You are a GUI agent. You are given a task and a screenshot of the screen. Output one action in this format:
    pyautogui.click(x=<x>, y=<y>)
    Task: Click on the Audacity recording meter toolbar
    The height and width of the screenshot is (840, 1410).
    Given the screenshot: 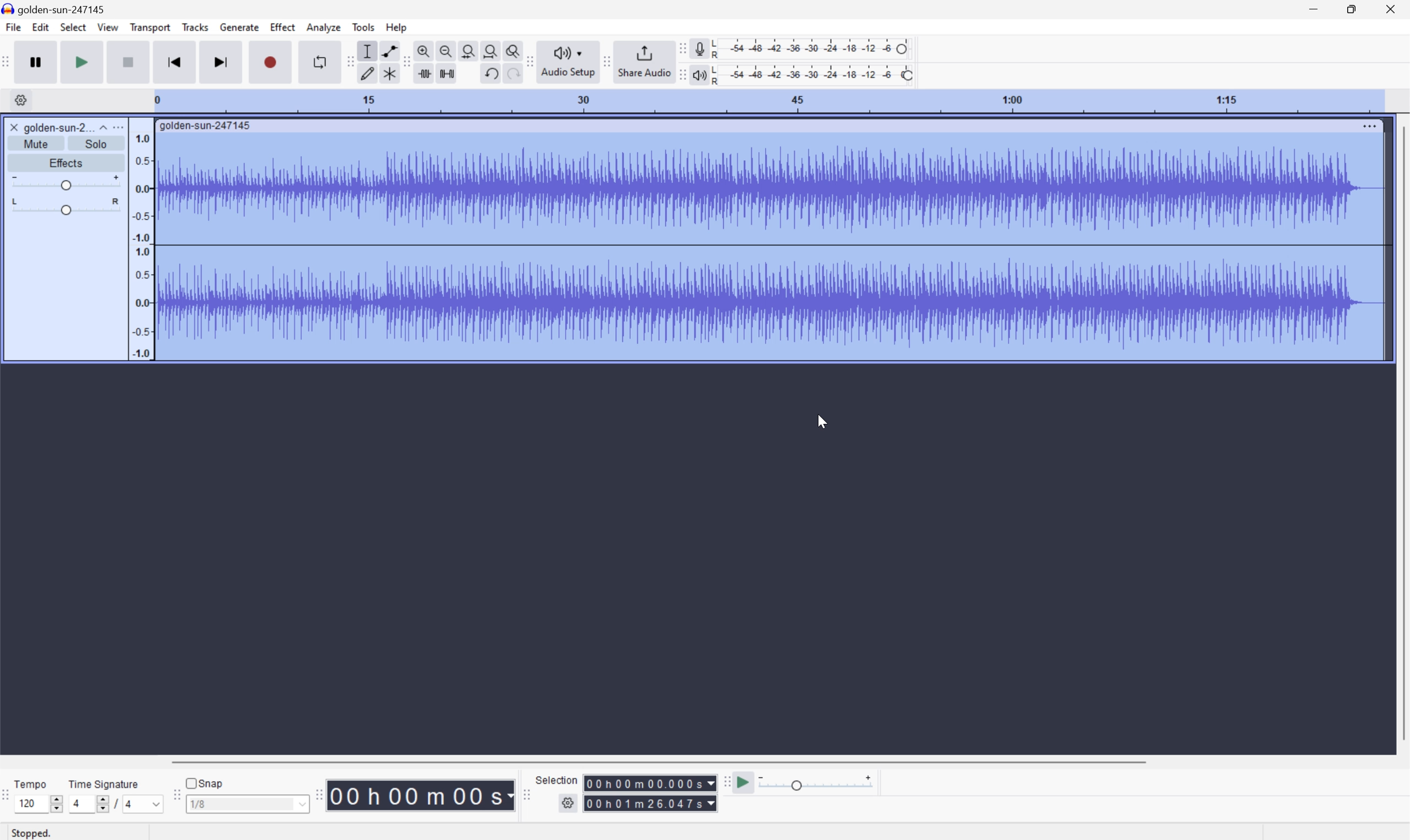 What is the action you would take?
    pyautogui.click(x=680, y=48)
    